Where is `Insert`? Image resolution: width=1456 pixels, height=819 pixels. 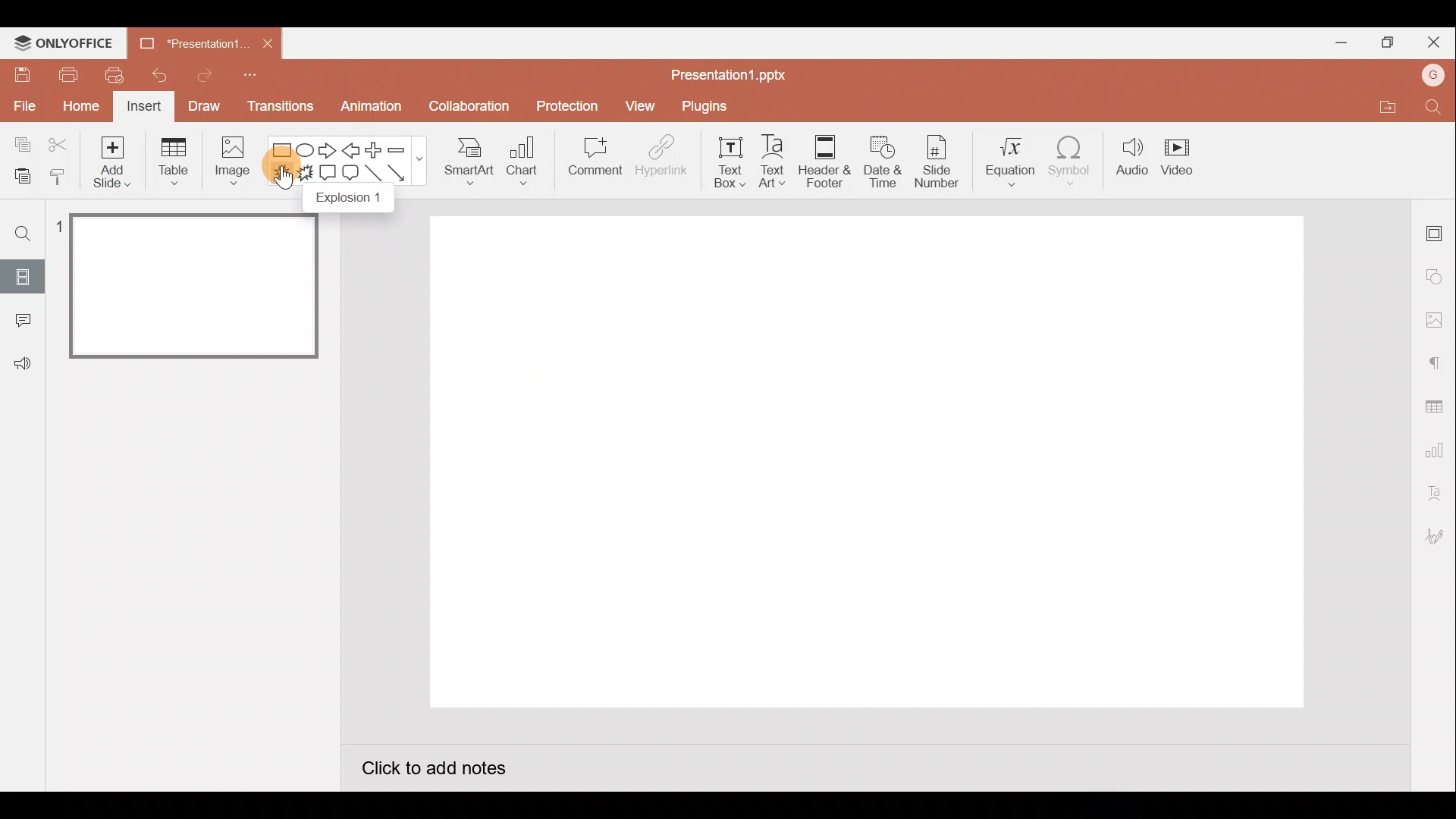
Insert is located at coordinates (146, 107).